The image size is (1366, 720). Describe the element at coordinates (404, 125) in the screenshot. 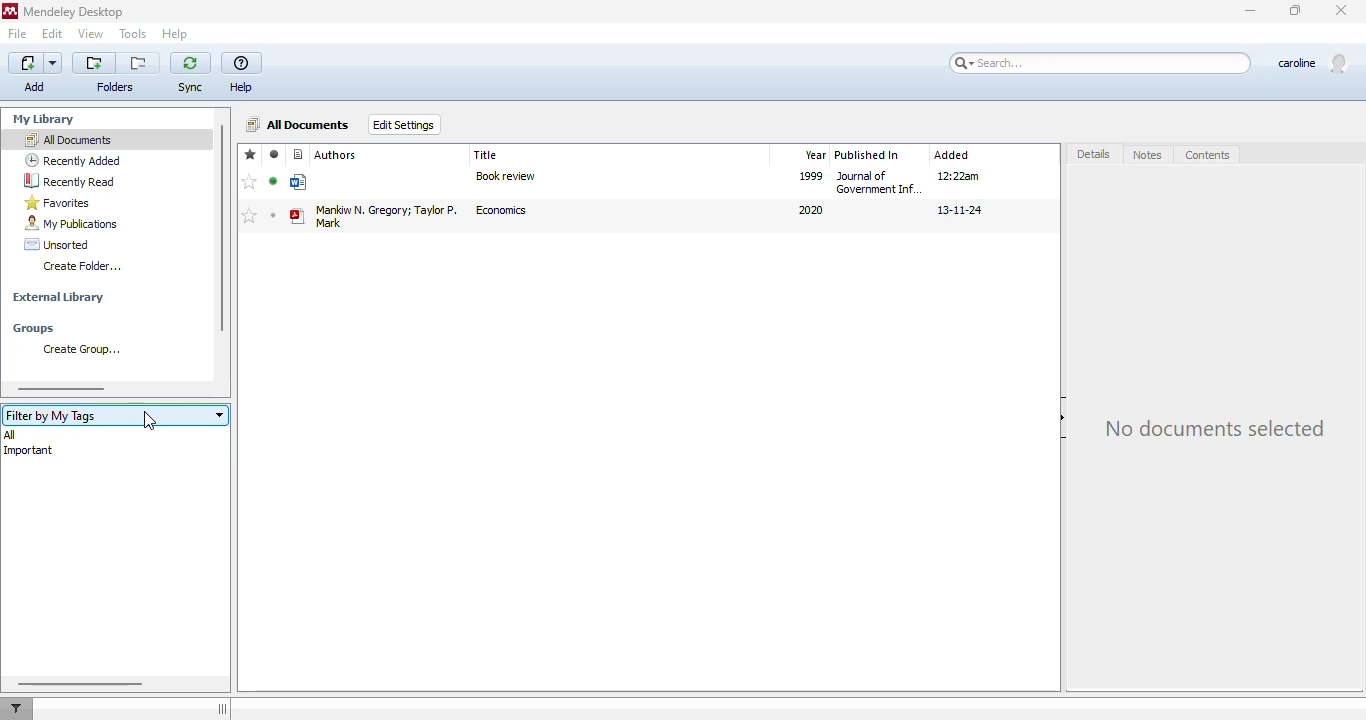

I see `edit settings` at that location.